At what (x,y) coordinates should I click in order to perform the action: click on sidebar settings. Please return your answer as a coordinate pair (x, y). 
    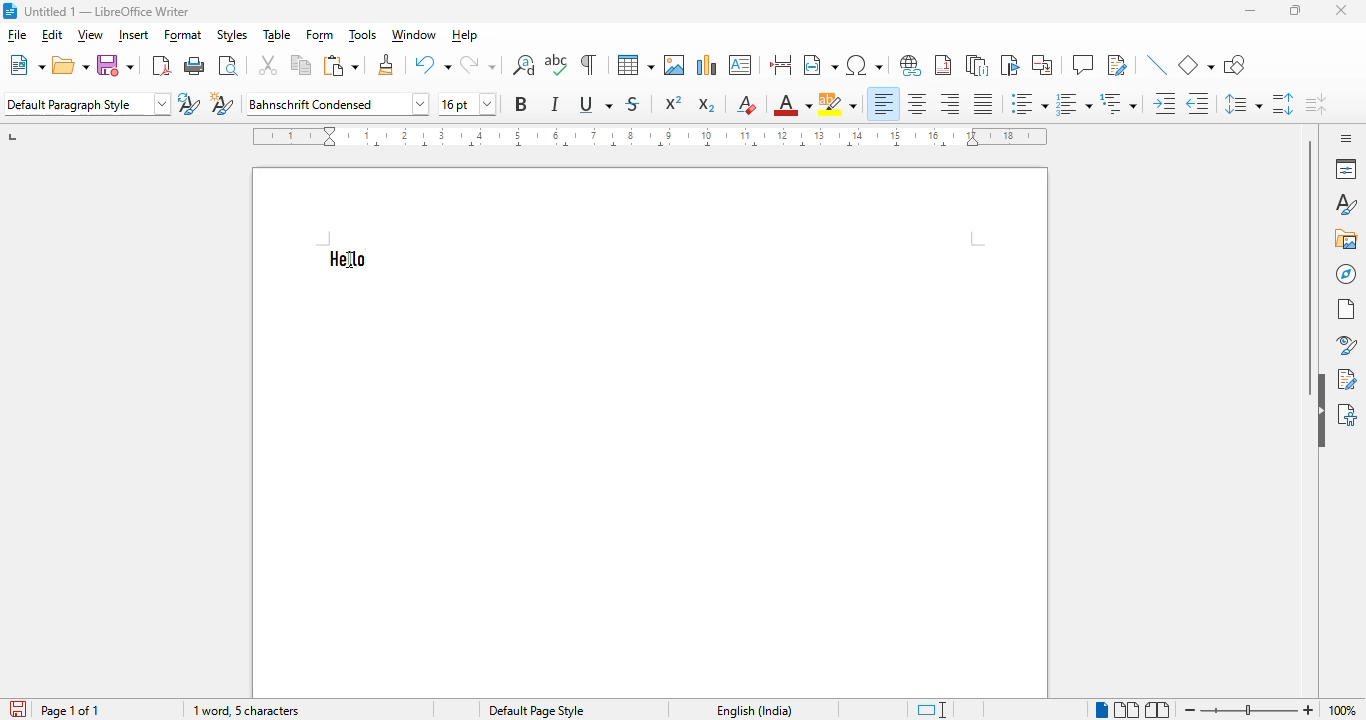
    Looking at the image, I should click on (1343, 138).